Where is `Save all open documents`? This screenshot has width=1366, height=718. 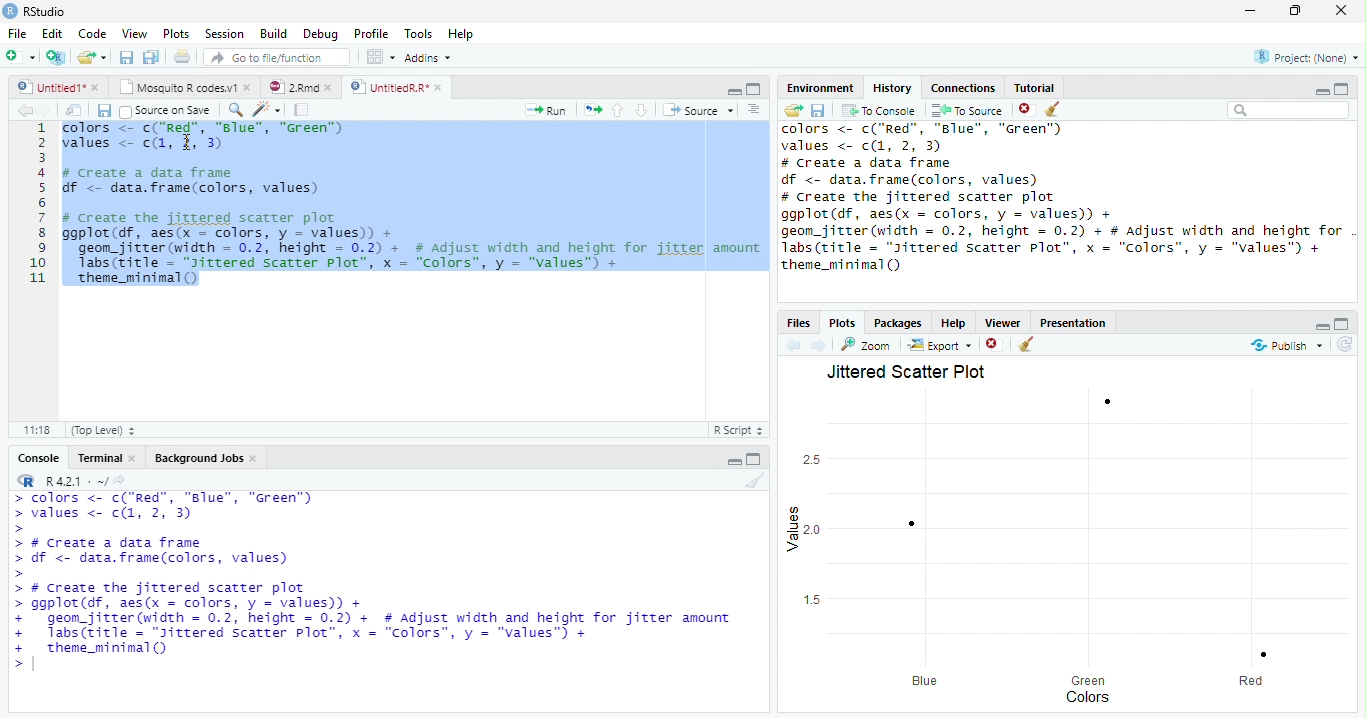
Save all open documents is located at coordinates (152, 57).